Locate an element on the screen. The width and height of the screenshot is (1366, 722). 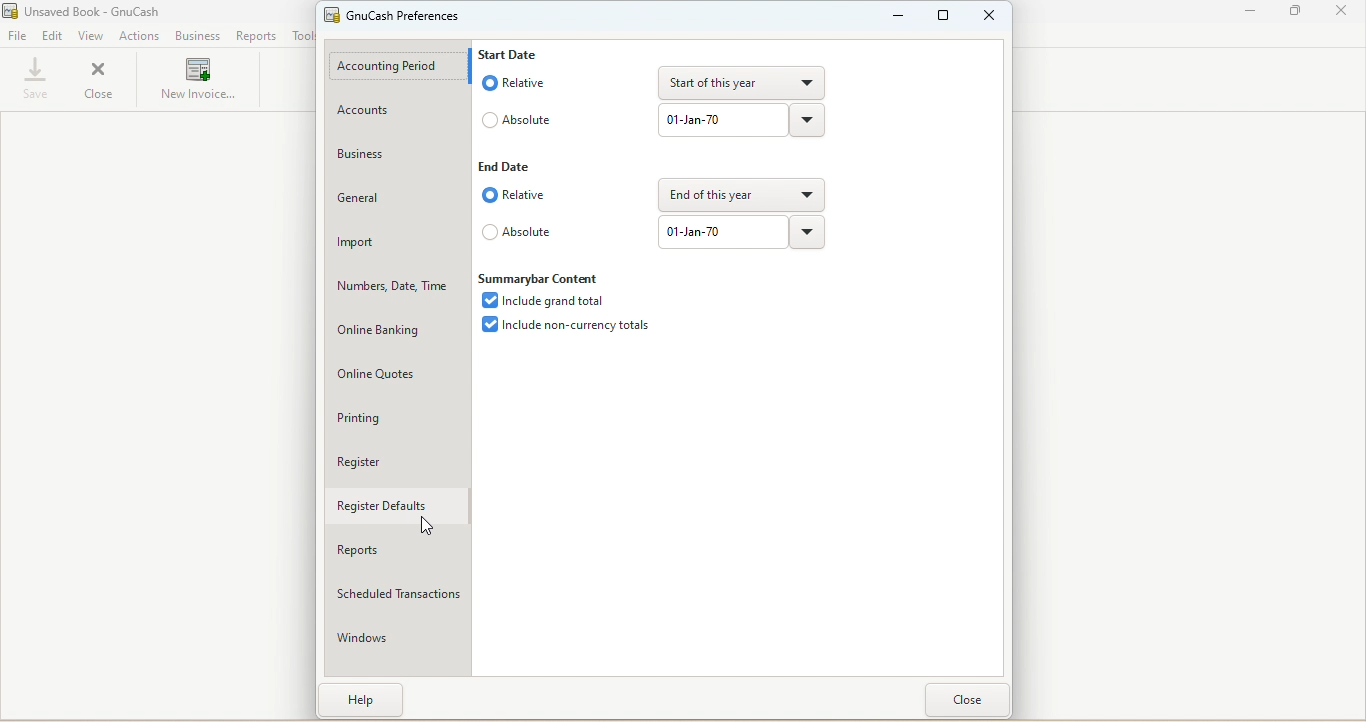
Close is located at coordinates (108, 78).